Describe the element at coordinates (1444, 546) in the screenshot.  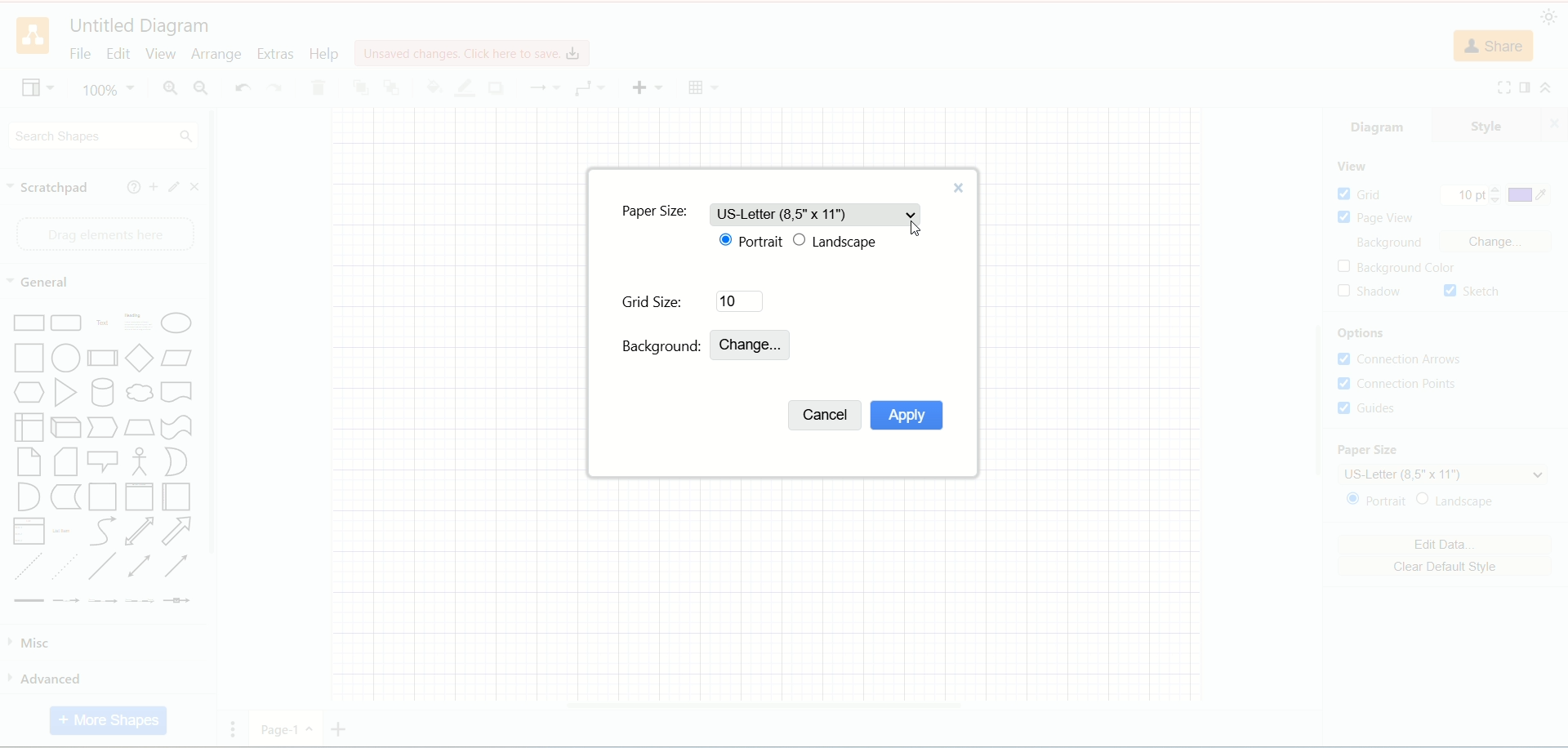
I see `edit data` at that location.